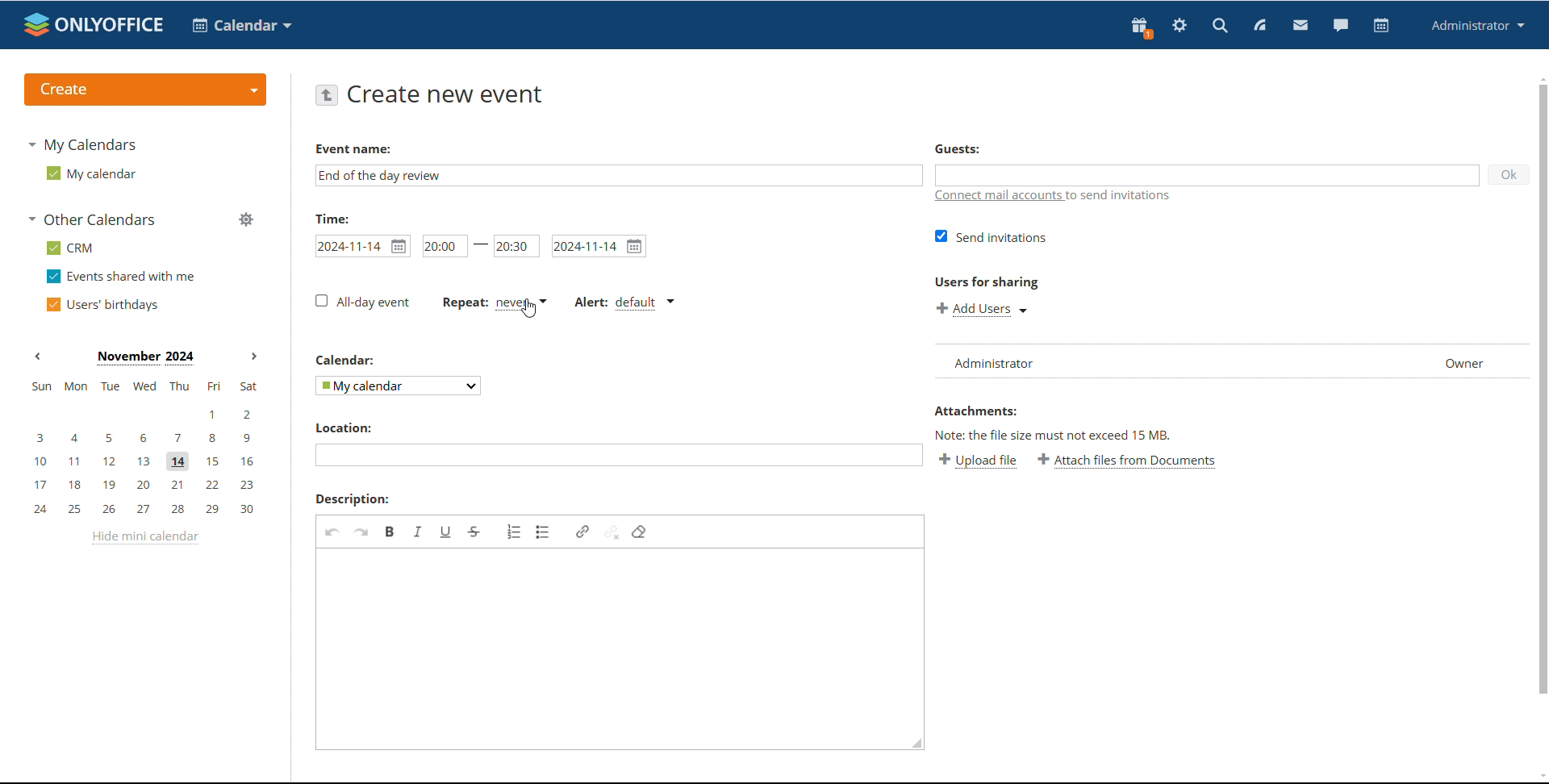 This screenshot has width=1549, height=784. What do you see at coordinates (326, 94) in the screenshot?
I see `go back` at bounding box center [326, 94].